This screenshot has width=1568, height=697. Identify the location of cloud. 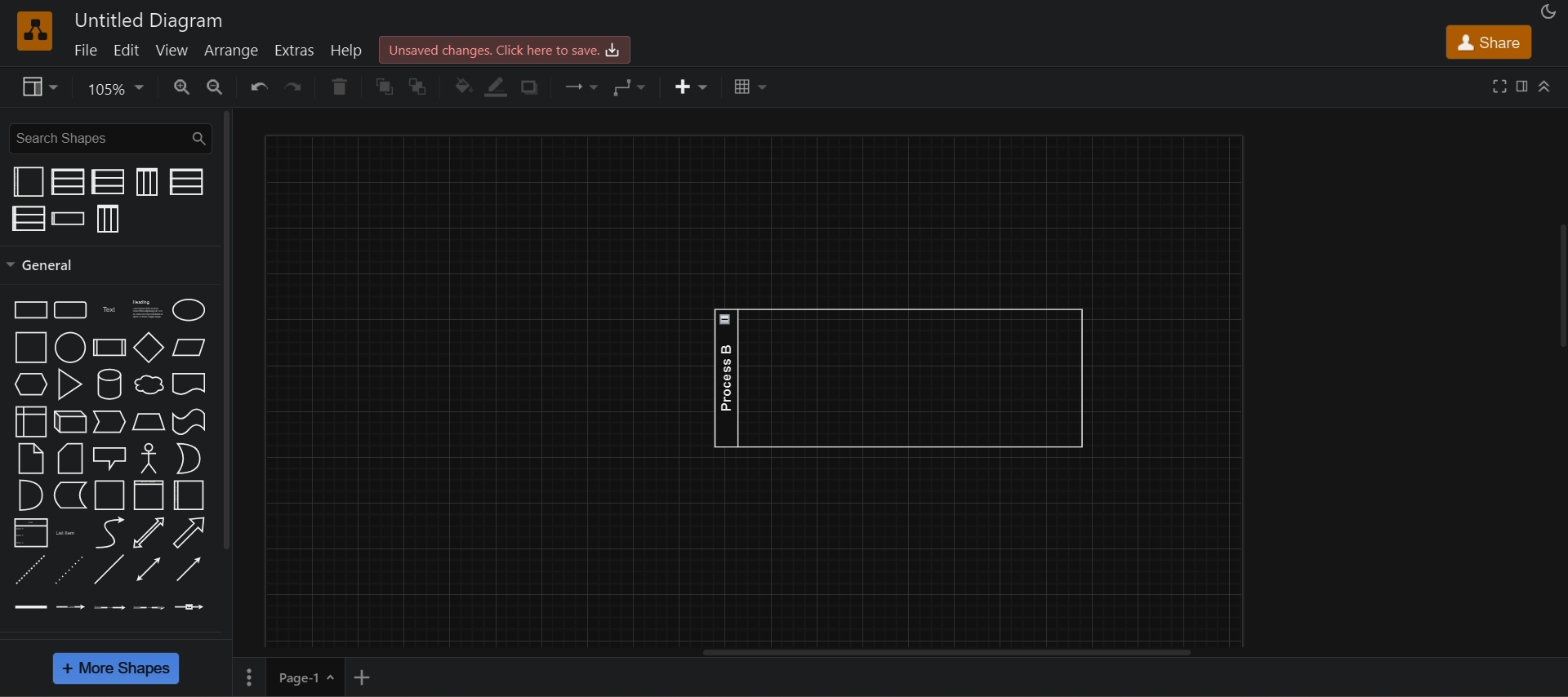
(150, 384).